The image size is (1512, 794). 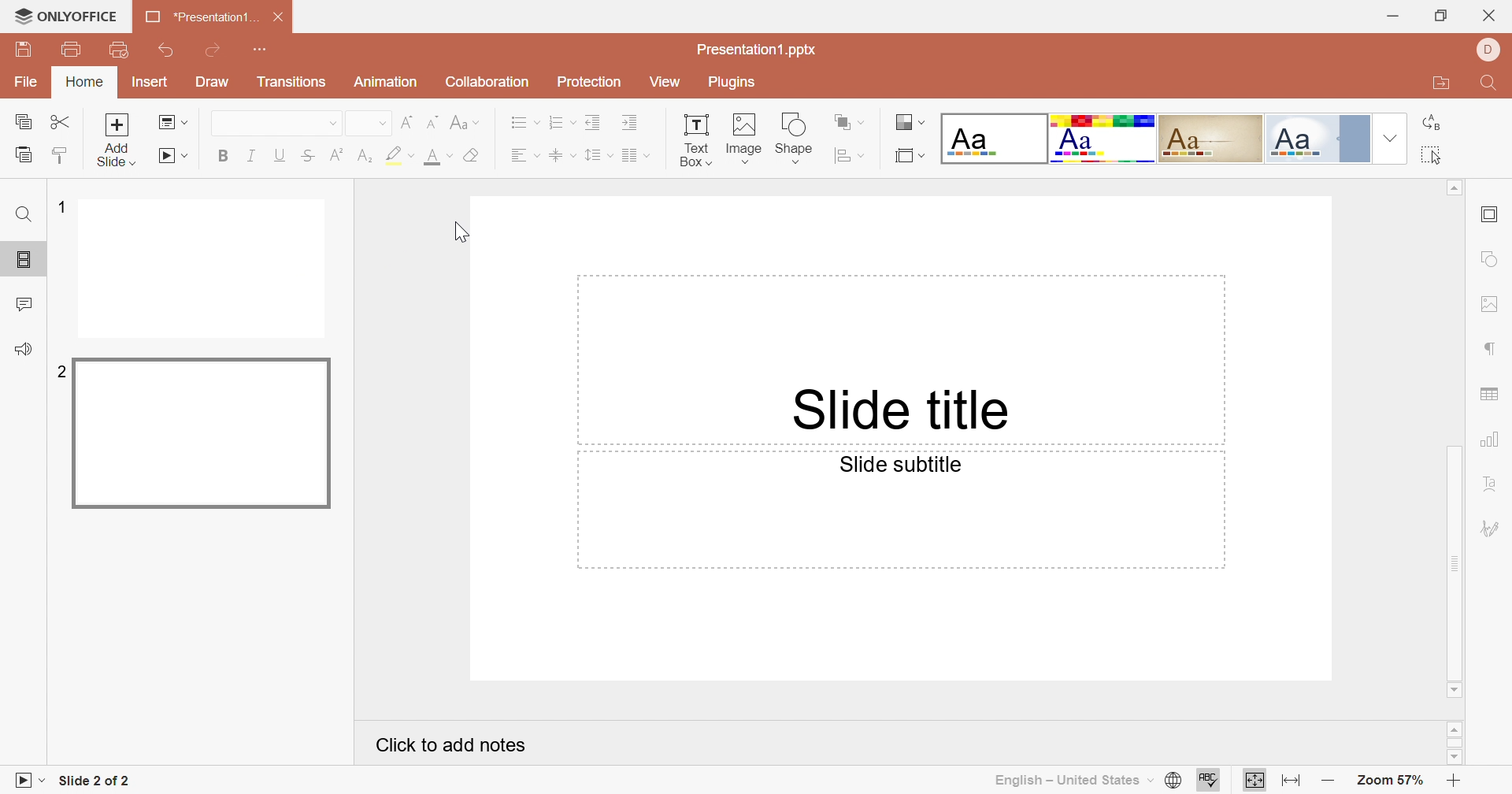 I want to click on Signature settings, so click(x=1492, y=525).